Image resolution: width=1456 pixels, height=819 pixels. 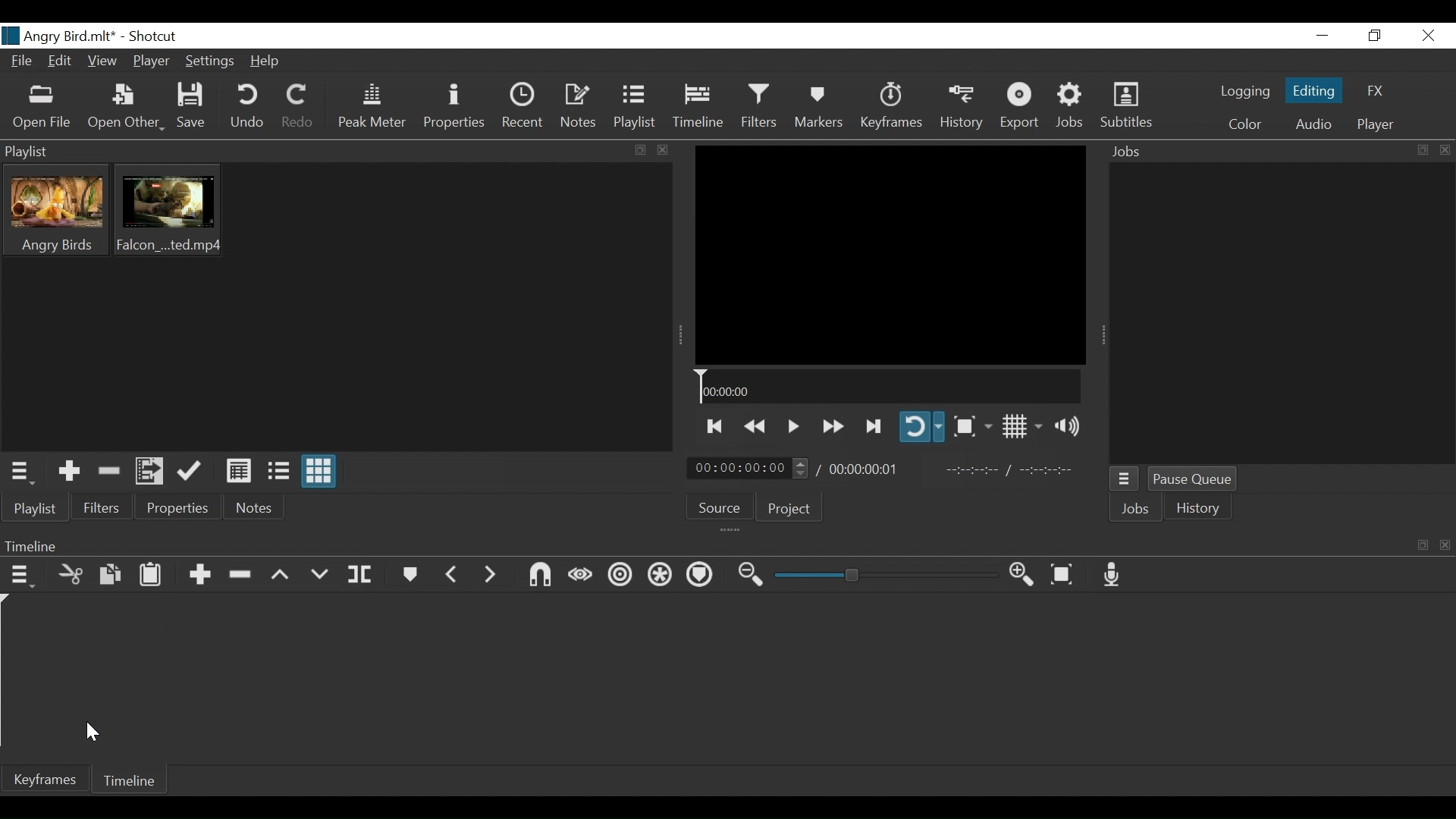 I want to click on Add files to the playlist, so click(x=149, y=471).